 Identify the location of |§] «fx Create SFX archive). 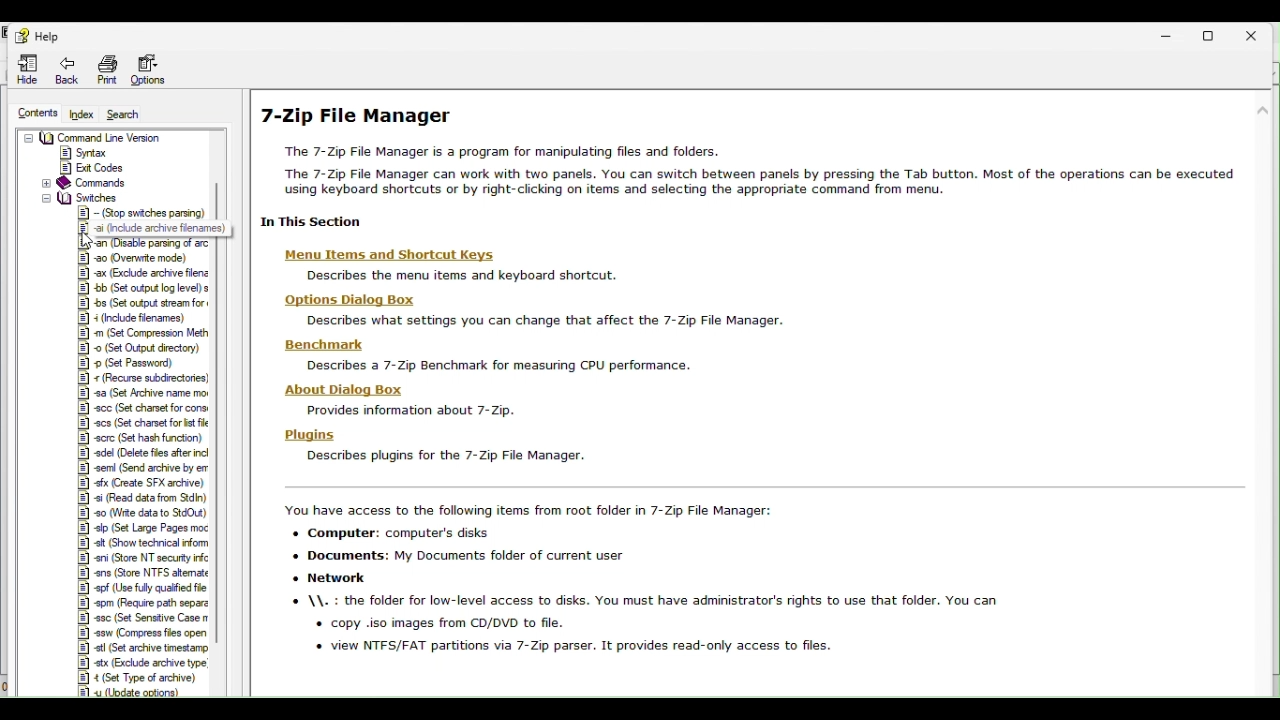
(141, 484).